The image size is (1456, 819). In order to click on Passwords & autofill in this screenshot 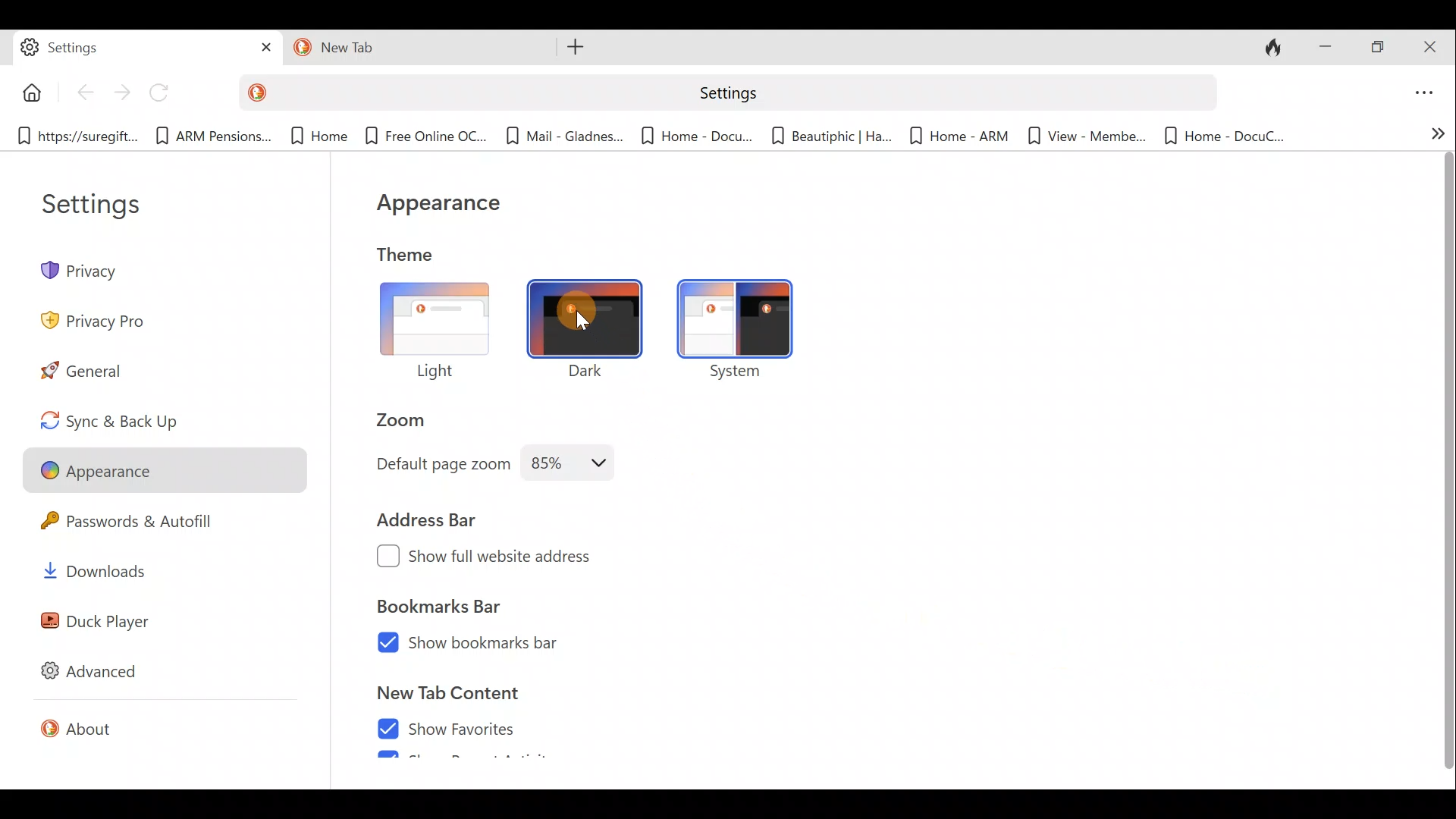, I will do `click(128, 520)`.